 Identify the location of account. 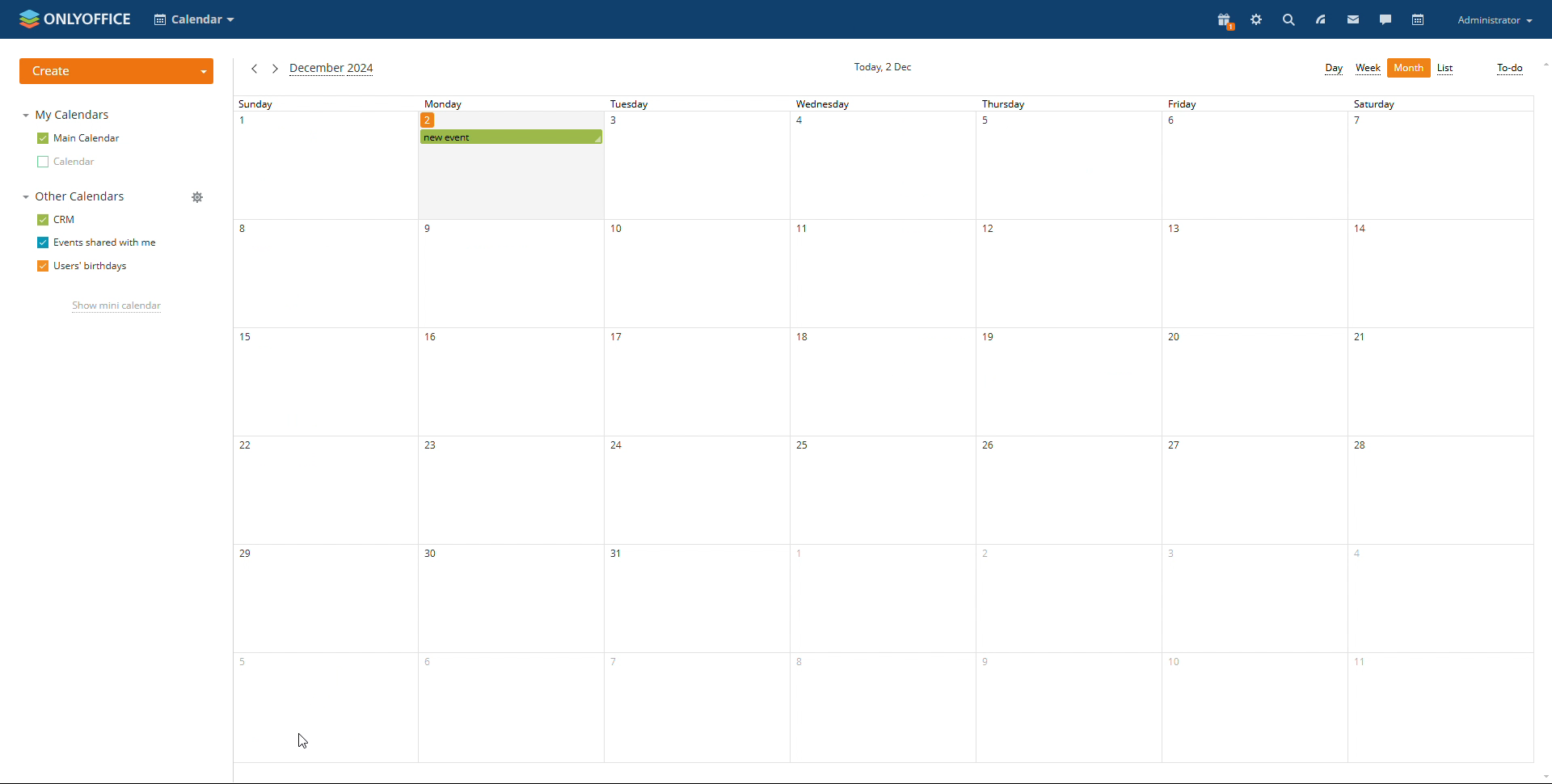
(1494, 20).